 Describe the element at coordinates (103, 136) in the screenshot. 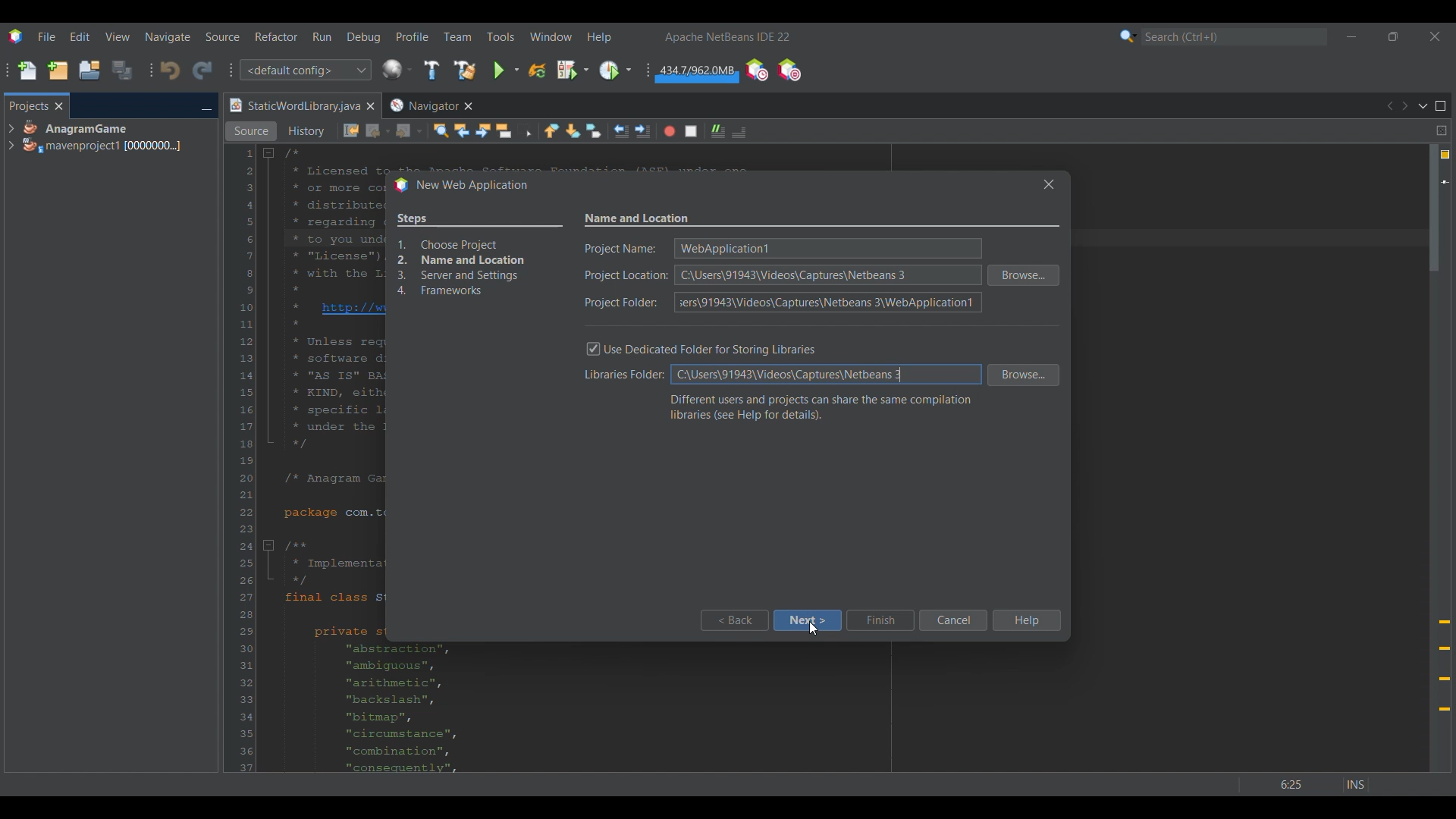

I see `Project options` at that location.